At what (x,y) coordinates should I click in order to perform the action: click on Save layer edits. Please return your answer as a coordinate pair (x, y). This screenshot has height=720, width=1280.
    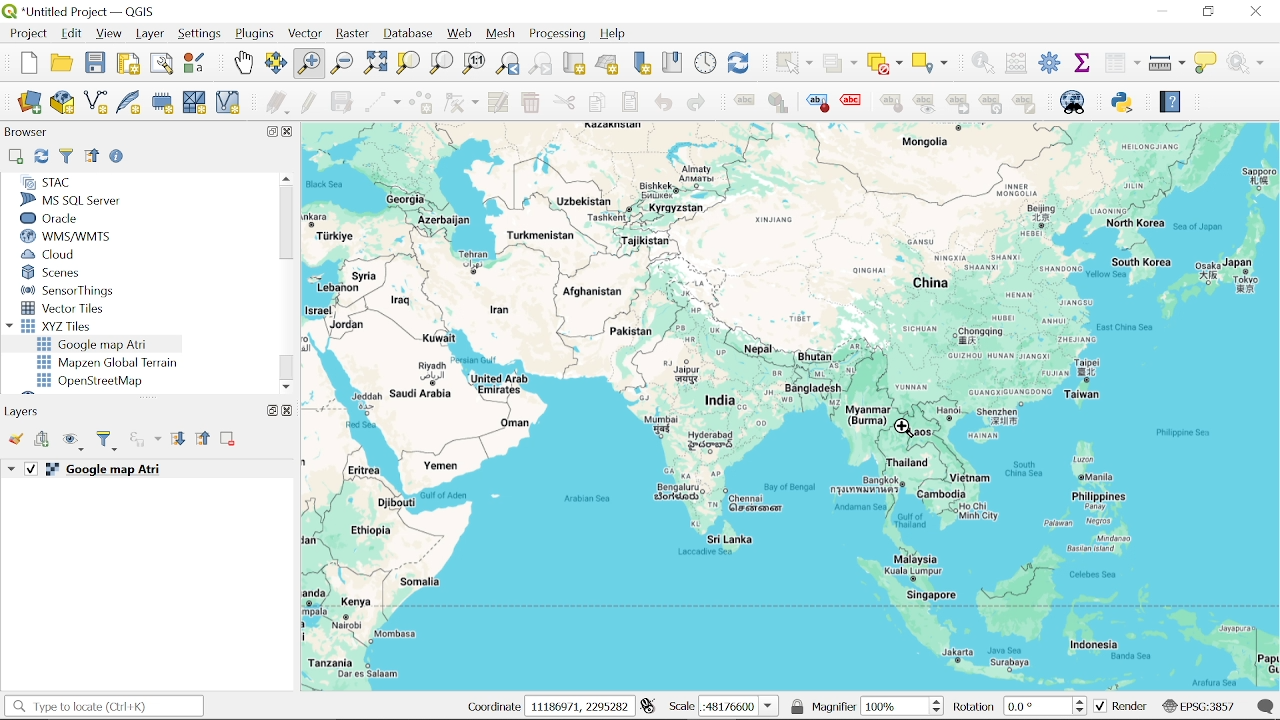
    Looking at the image, I should click on (342, 102).